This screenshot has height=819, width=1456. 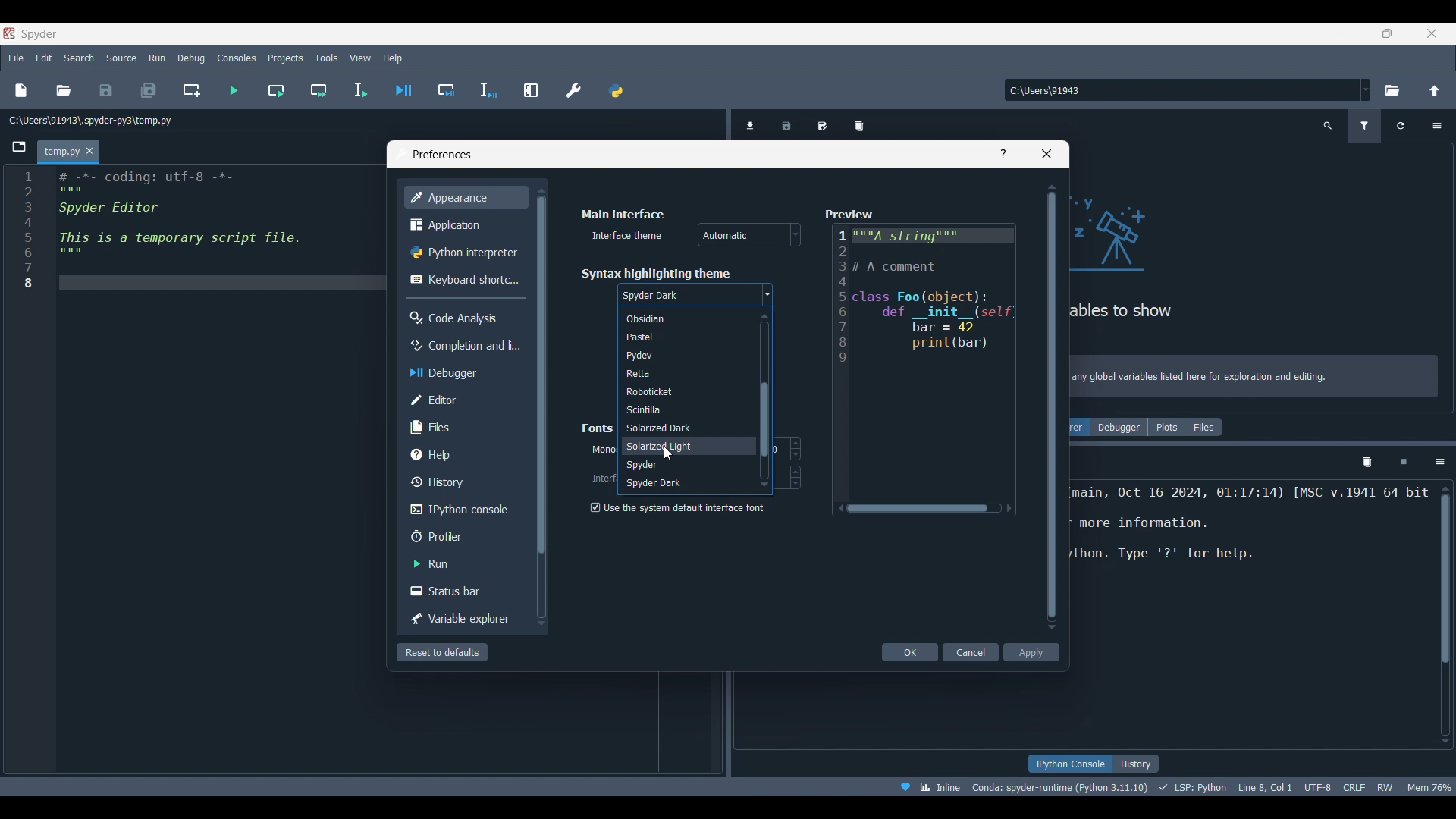 What do you see at coordinates (327, 58) in the screenshot?
I see `Tools menu` at bounding box center [327, 58].